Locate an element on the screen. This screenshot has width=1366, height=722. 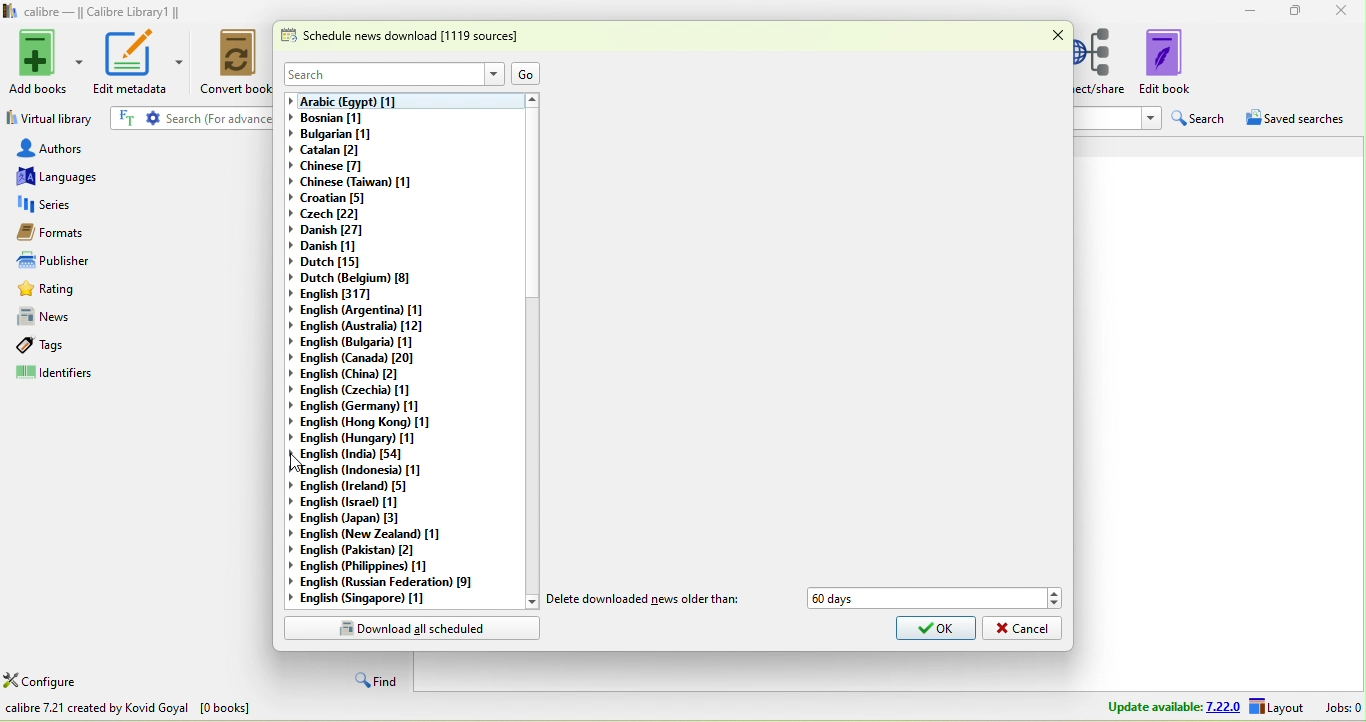
edit metadata options is located at coordinates (181, 61).